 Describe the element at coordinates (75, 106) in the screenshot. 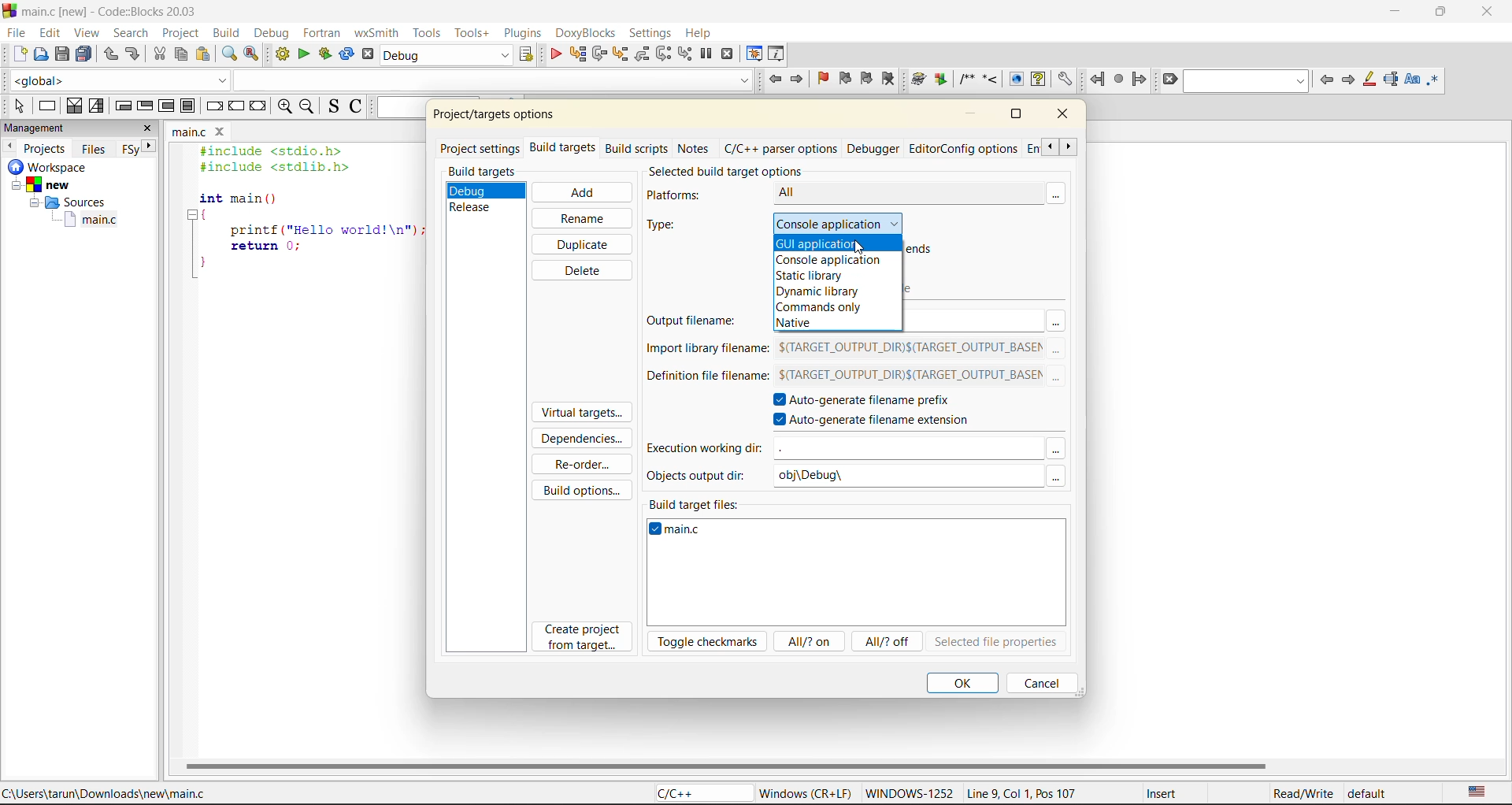

I see `decision` at that location.